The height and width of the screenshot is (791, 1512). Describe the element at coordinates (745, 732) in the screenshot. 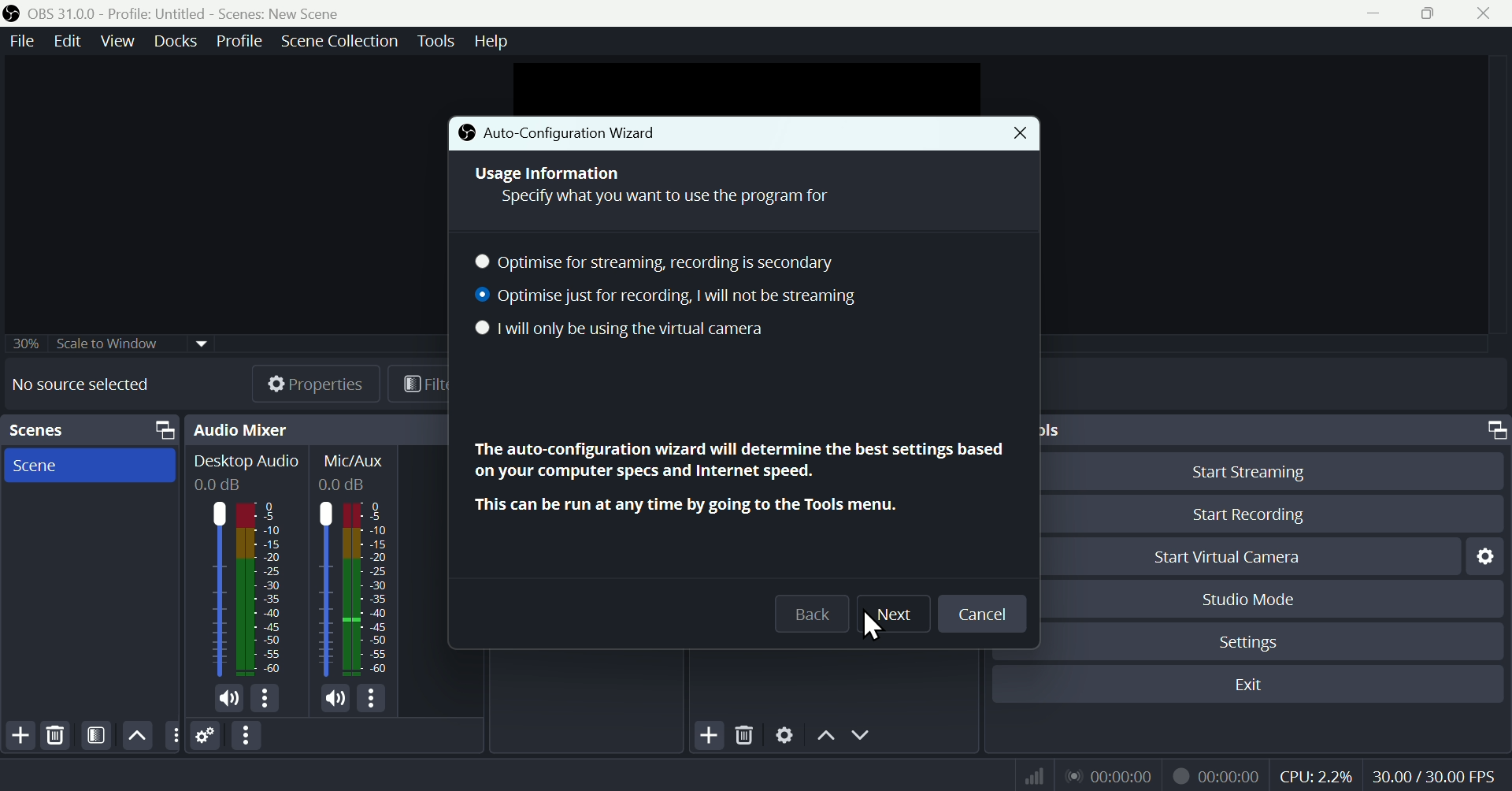

I see `Delete` at that location.